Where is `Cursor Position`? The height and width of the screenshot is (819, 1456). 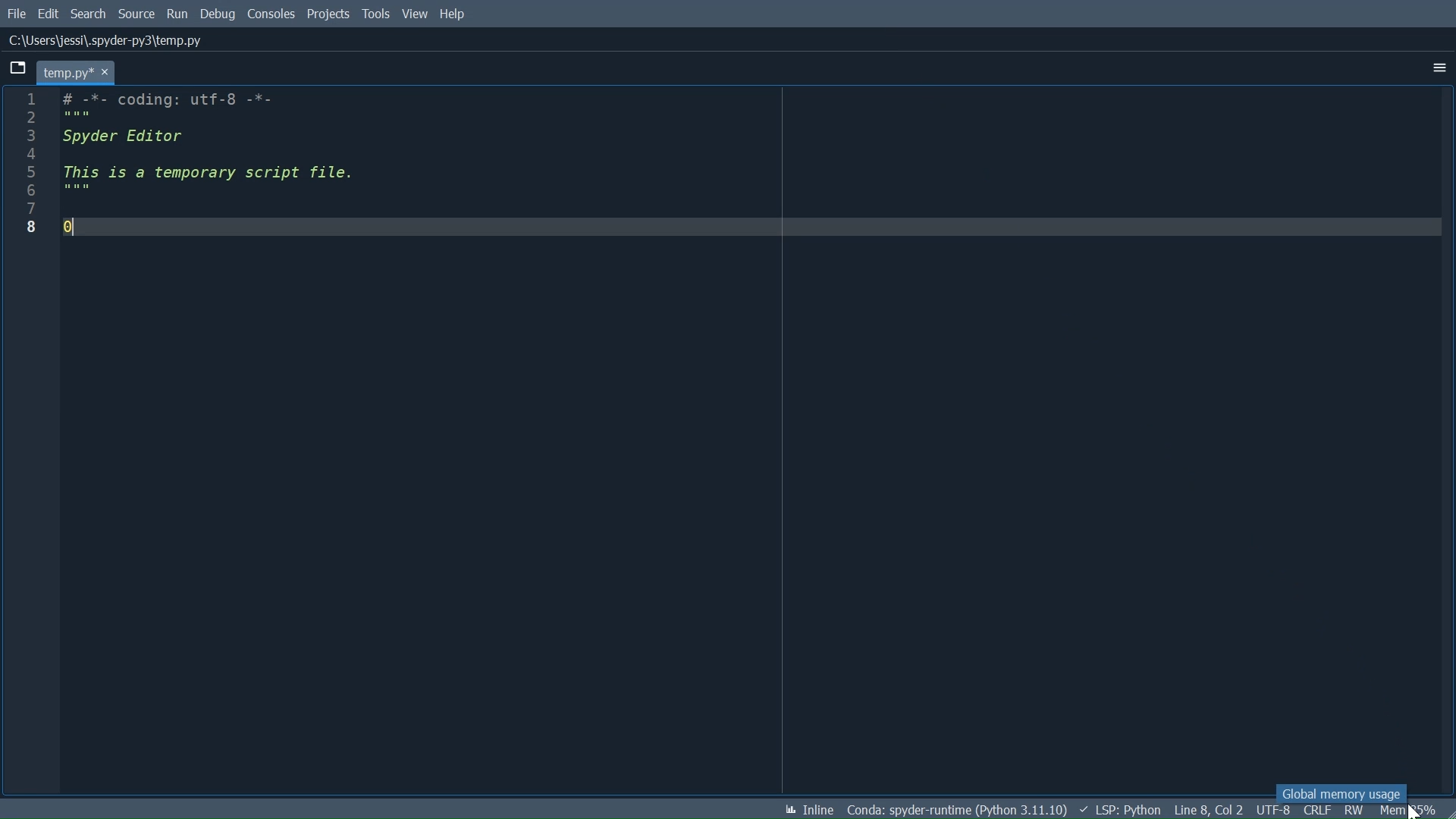 Cursor Position is located at coordinates (1207, 809).